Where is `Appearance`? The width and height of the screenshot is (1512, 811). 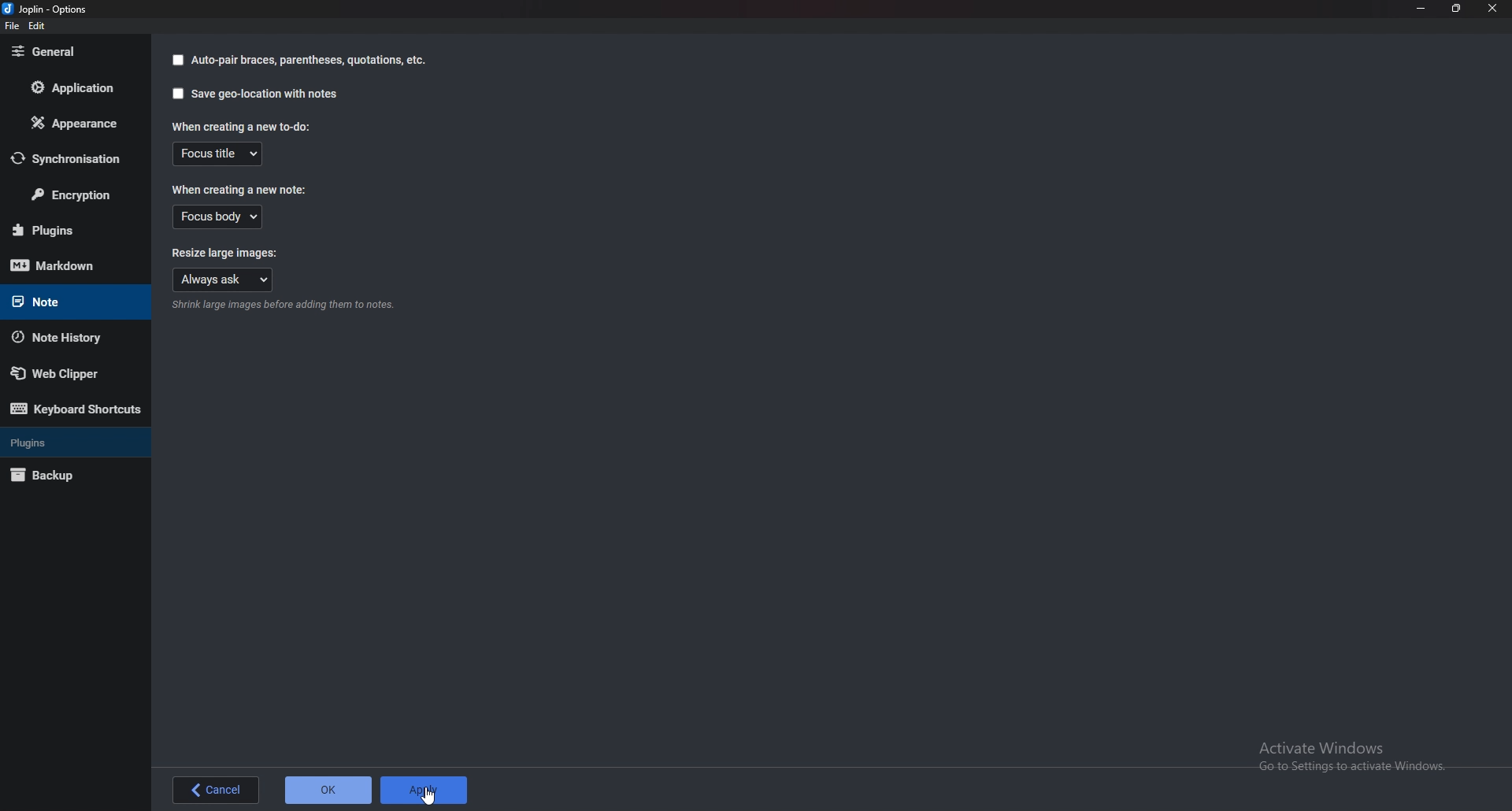 Appearance is located at coordinates (75, 122).